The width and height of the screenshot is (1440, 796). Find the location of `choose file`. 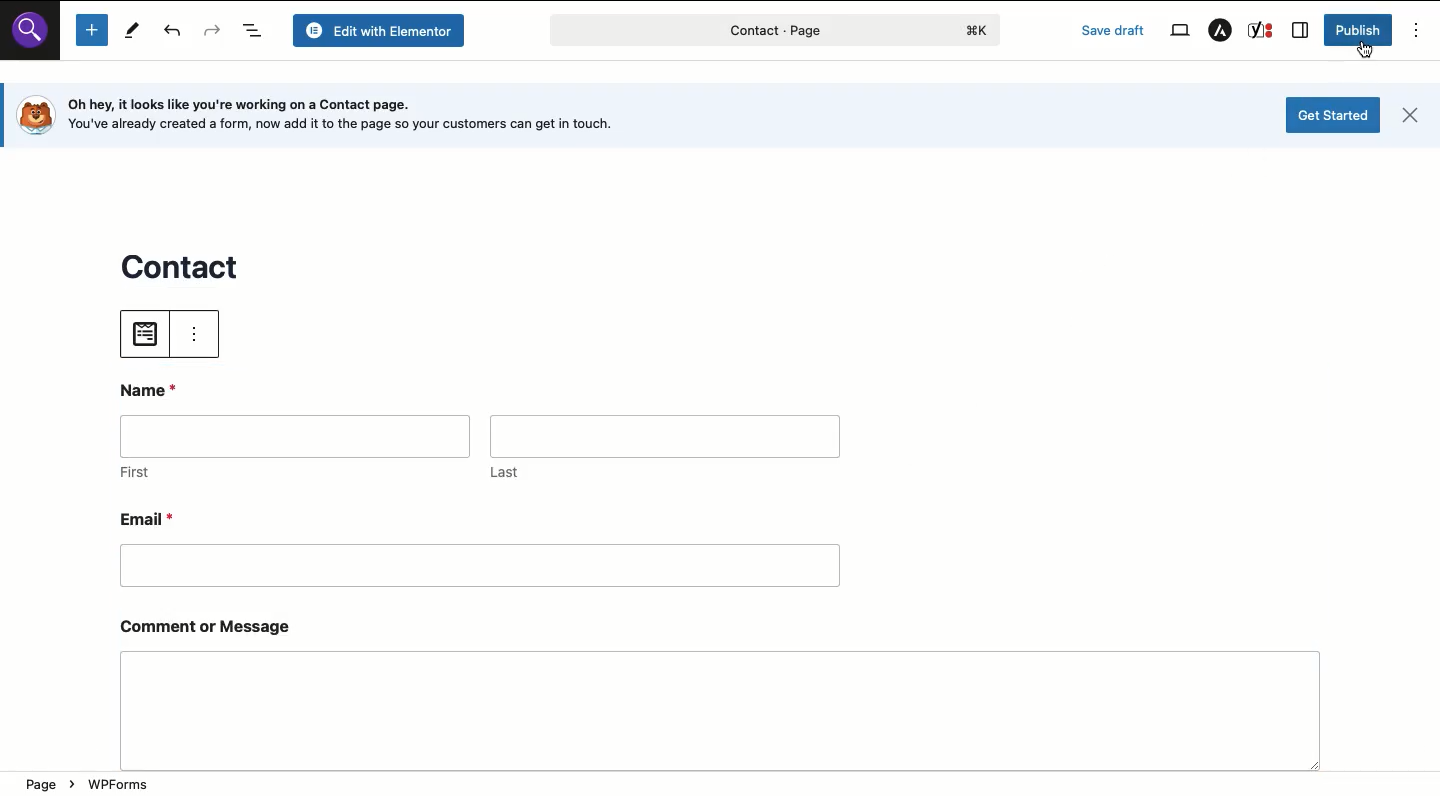

choose file is located at coordinates (143, 338).